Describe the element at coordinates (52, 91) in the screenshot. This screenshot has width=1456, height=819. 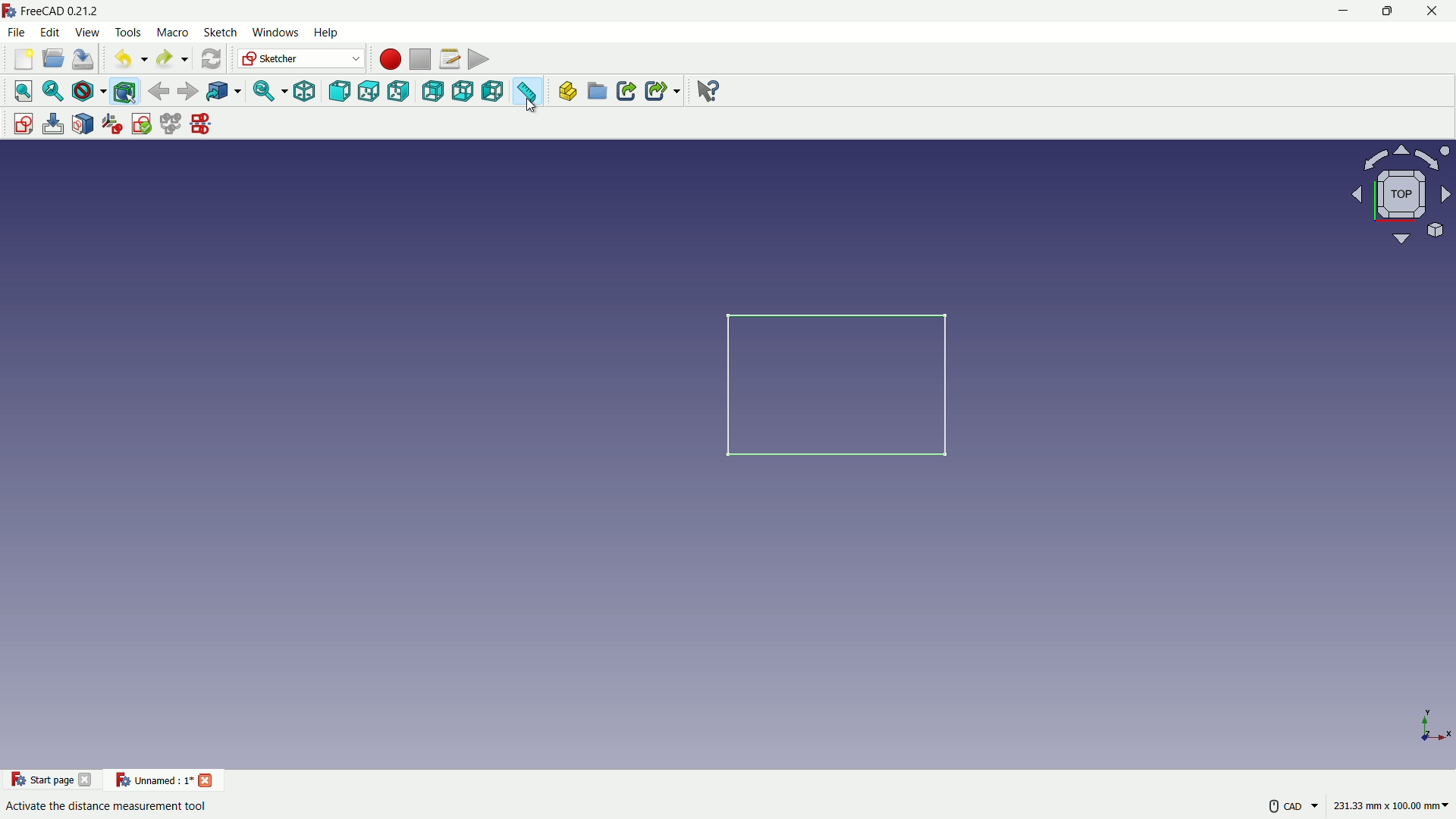
I see `fit selection` at that location.